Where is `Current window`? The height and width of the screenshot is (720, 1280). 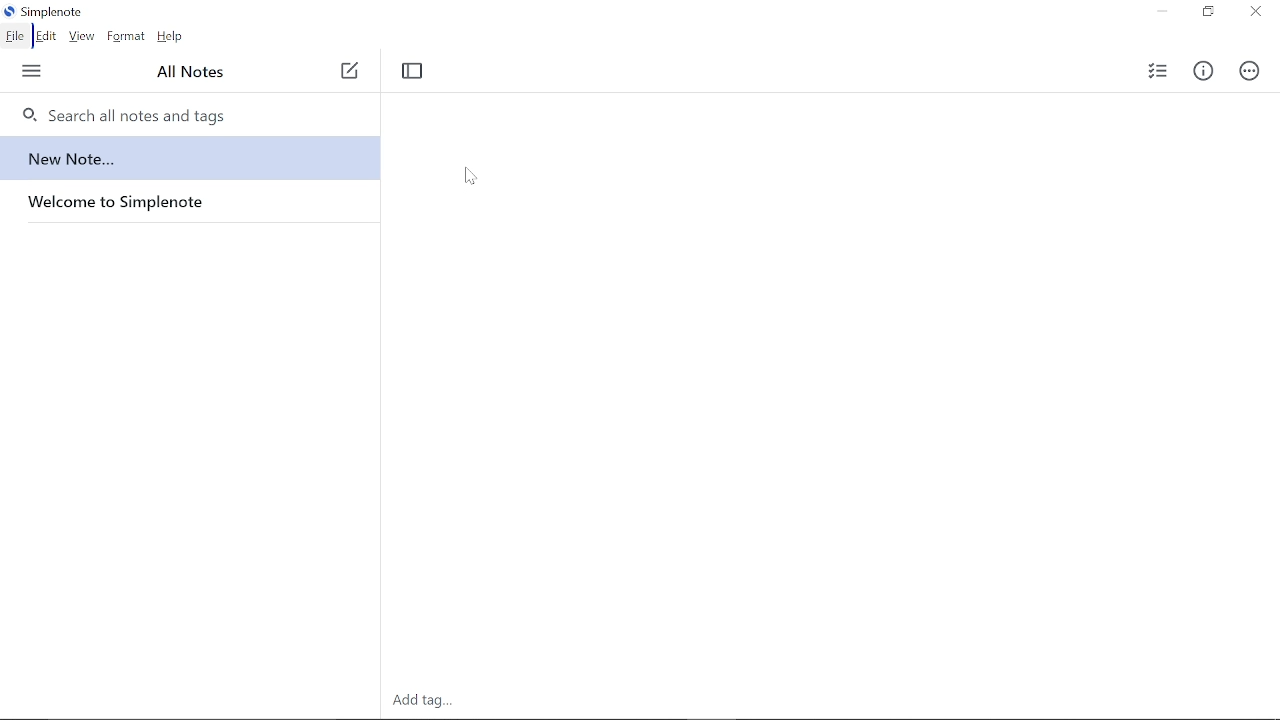
Current window is located at coordinates (41, 10).